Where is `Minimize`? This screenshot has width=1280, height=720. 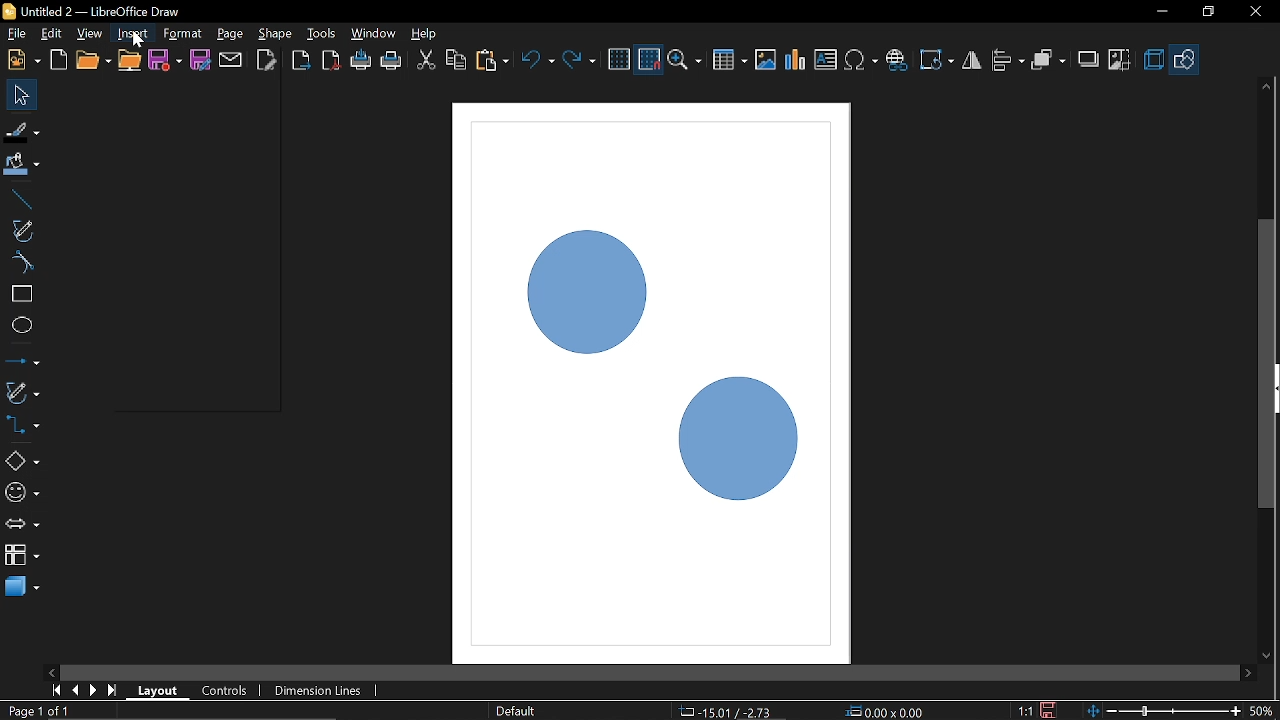 Minimize is located at coordinates (1159, 13).